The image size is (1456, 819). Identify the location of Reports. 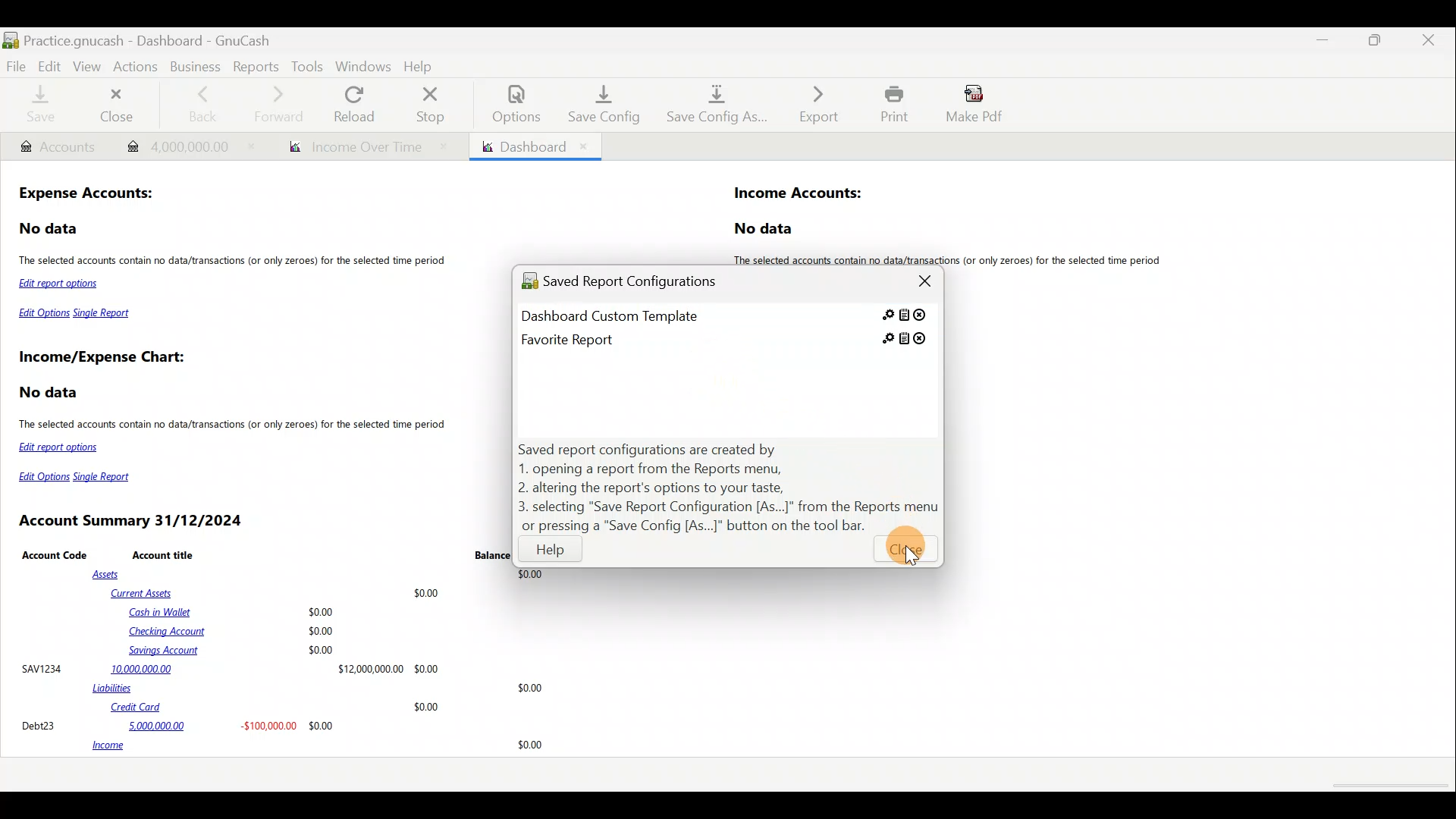
(254, 65).